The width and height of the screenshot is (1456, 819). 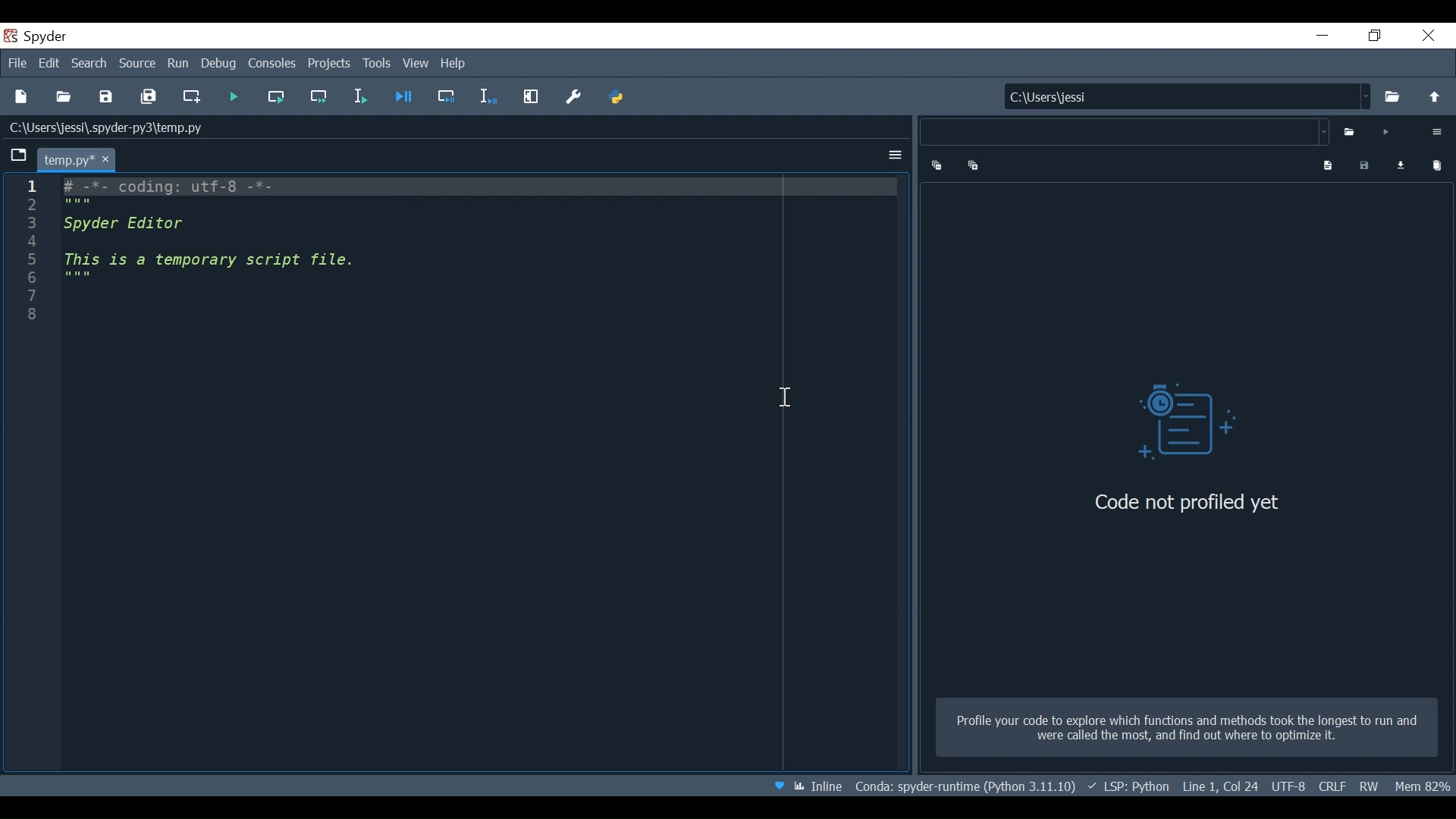 What do you see at coordinates (1200, 505) in the screenshot?
I see `Code not profiled yet` at bounding box center [1200, 505].